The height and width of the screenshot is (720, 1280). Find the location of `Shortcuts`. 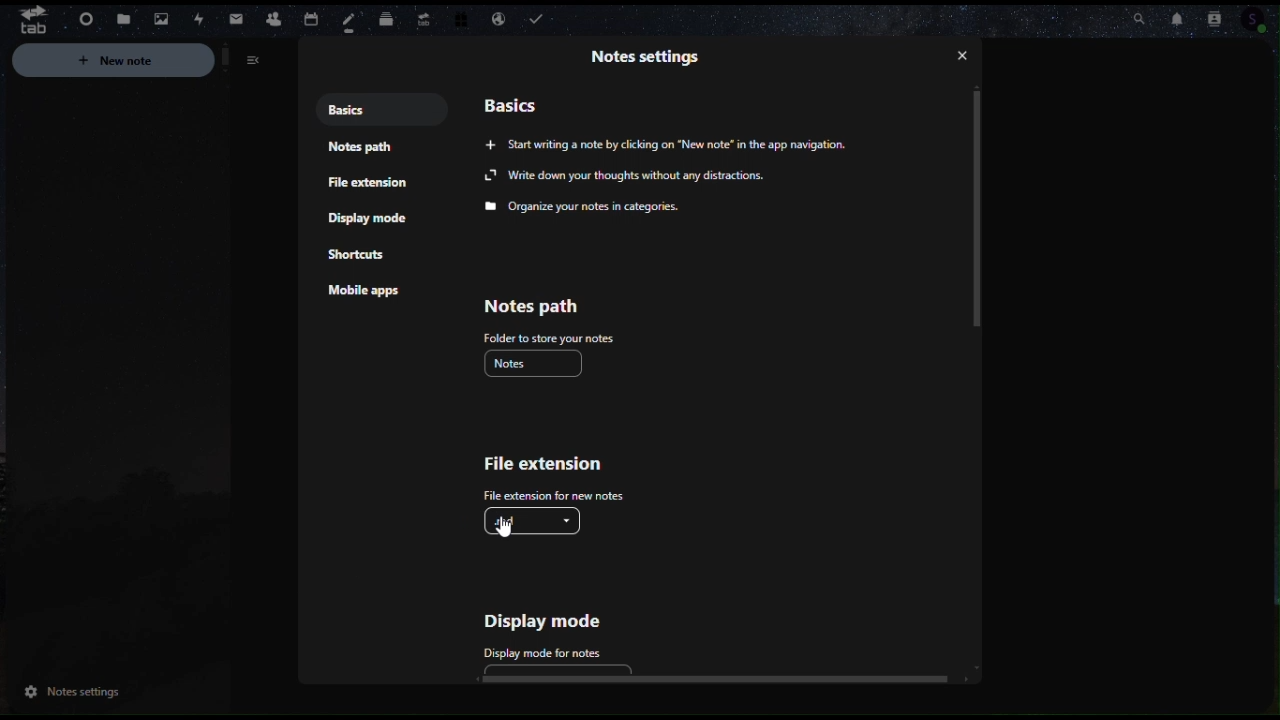

Shortcuts is located at coordinates (359, 257).